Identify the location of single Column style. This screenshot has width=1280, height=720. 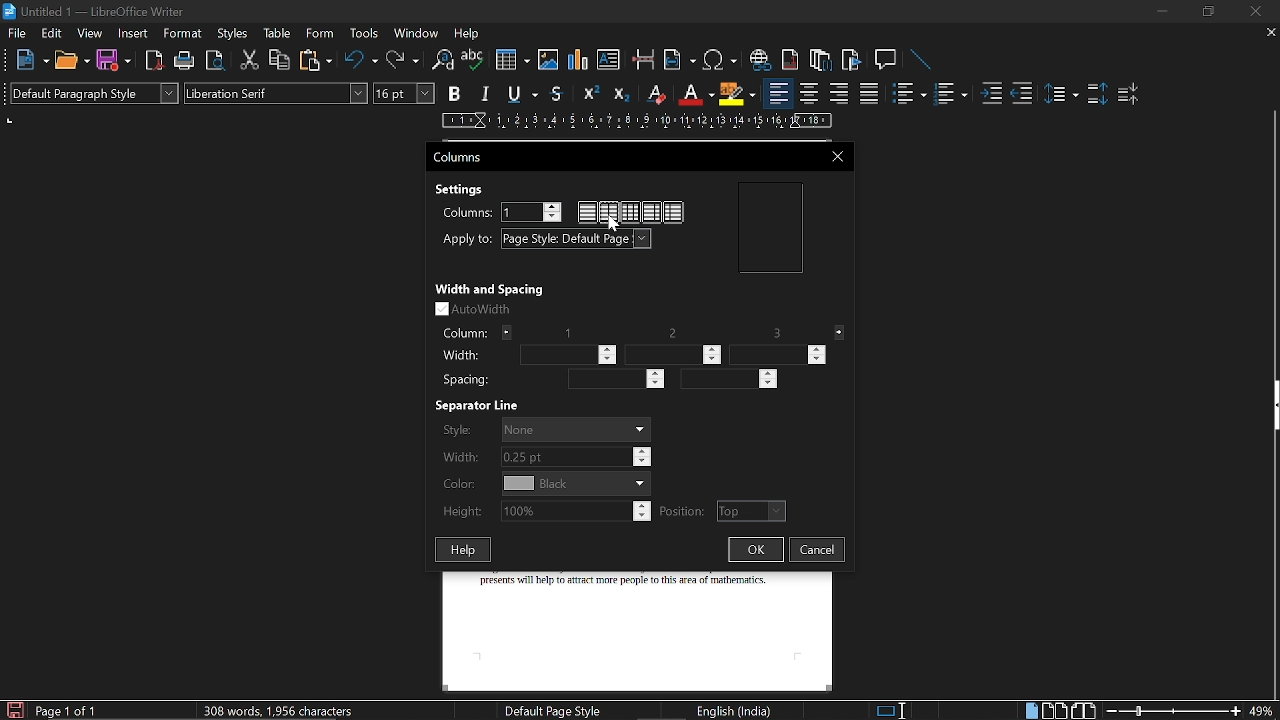
(587, 213).